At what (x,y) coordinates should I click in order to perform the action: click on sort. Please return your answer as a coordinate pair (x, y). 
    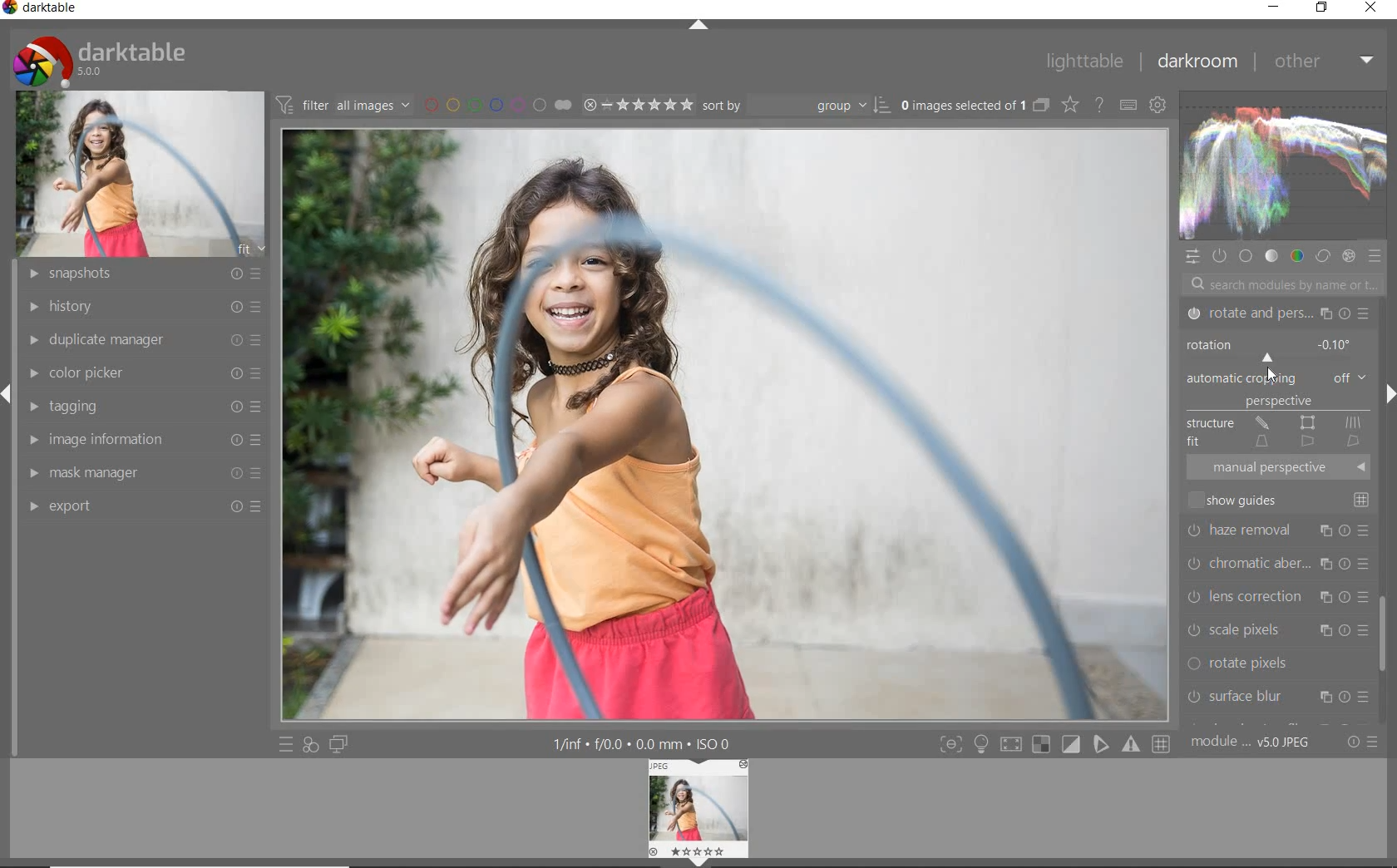
    Looking at the image, I should click on (797, 104).